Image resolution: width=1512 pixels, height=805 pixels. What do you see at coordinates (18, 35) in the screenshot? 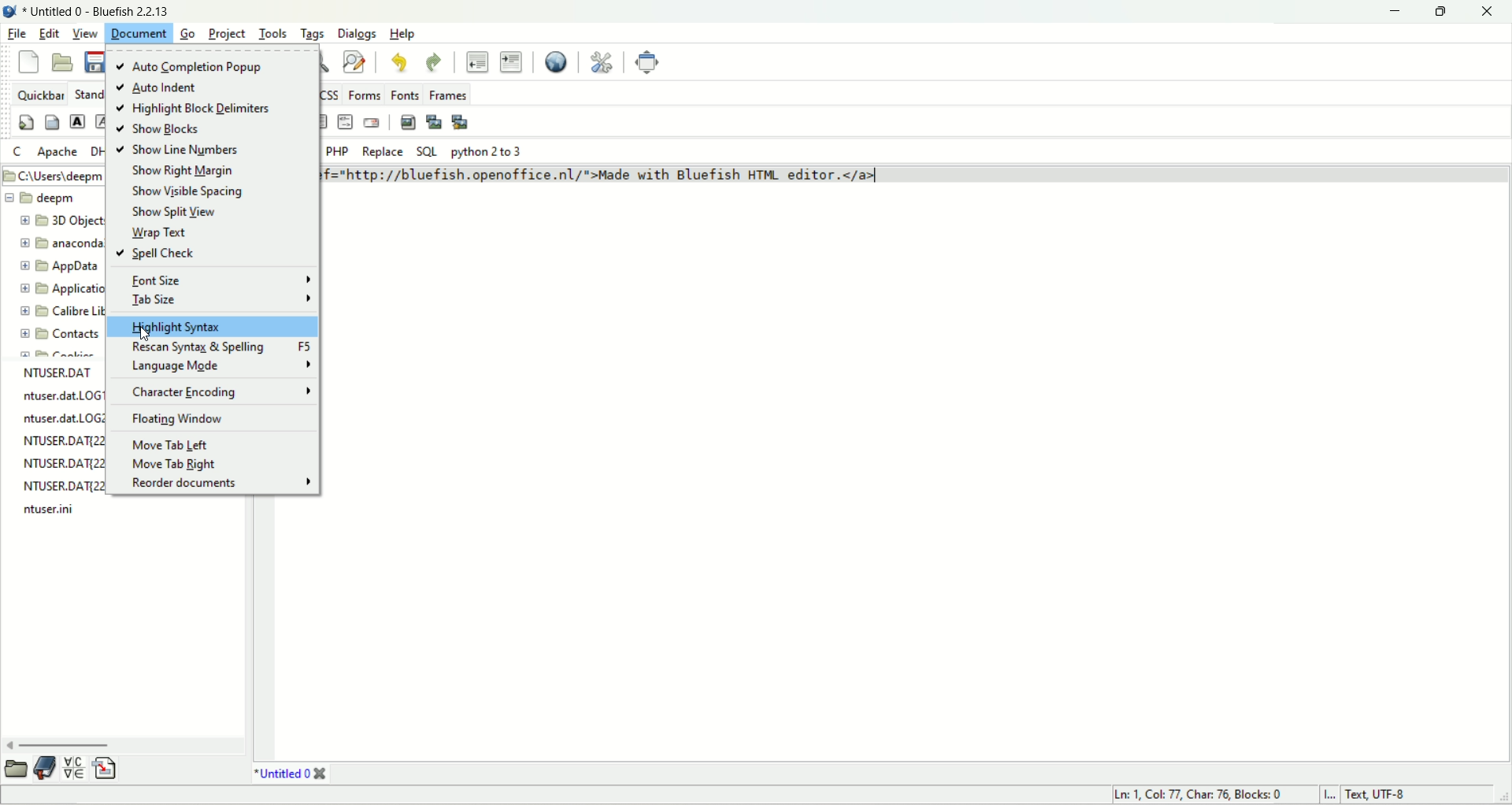
I see `file` at bounding box center [18, 35].